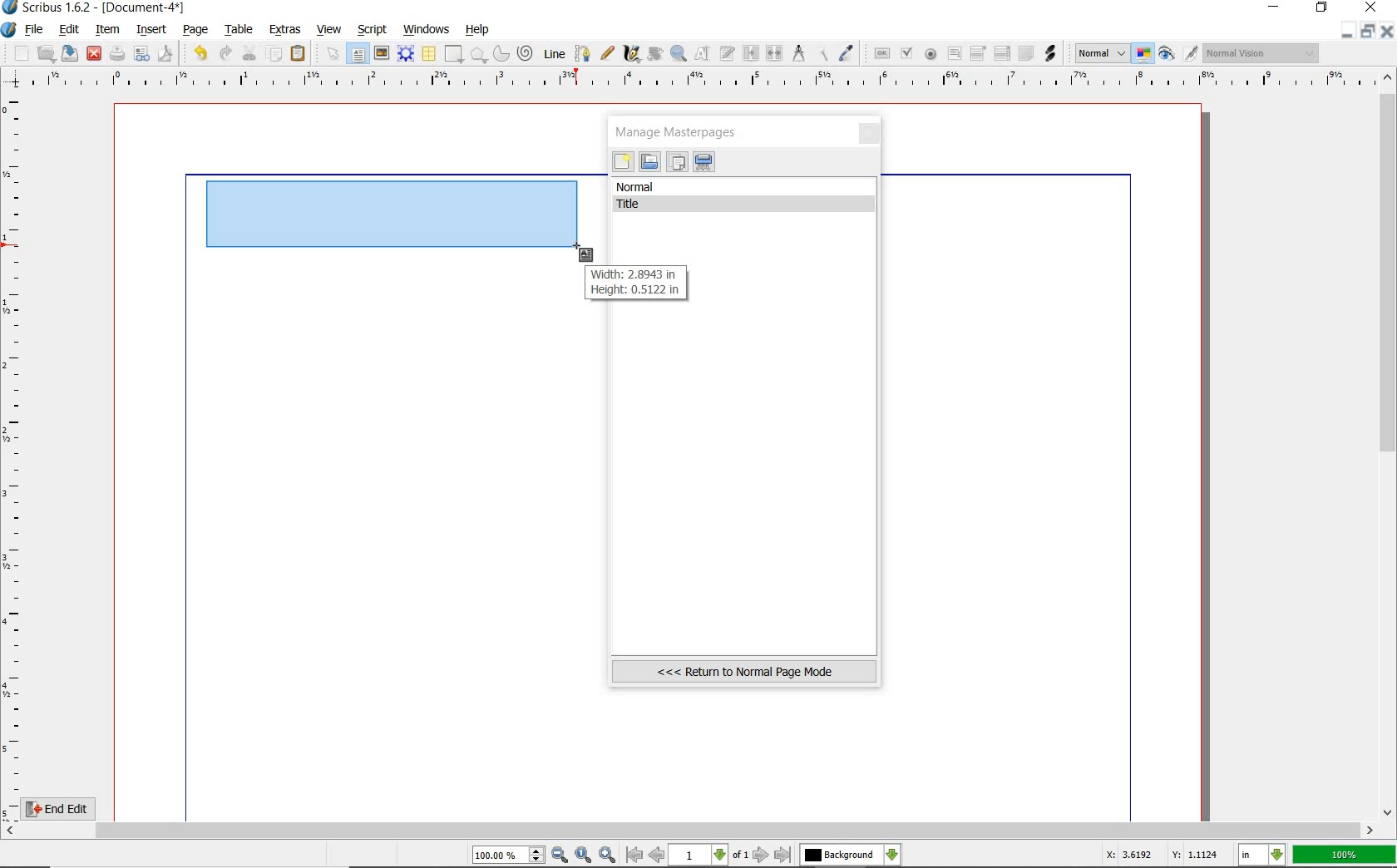 This screenshot has width=1397, height=868. I want to click on restore, so click(1323, 9).